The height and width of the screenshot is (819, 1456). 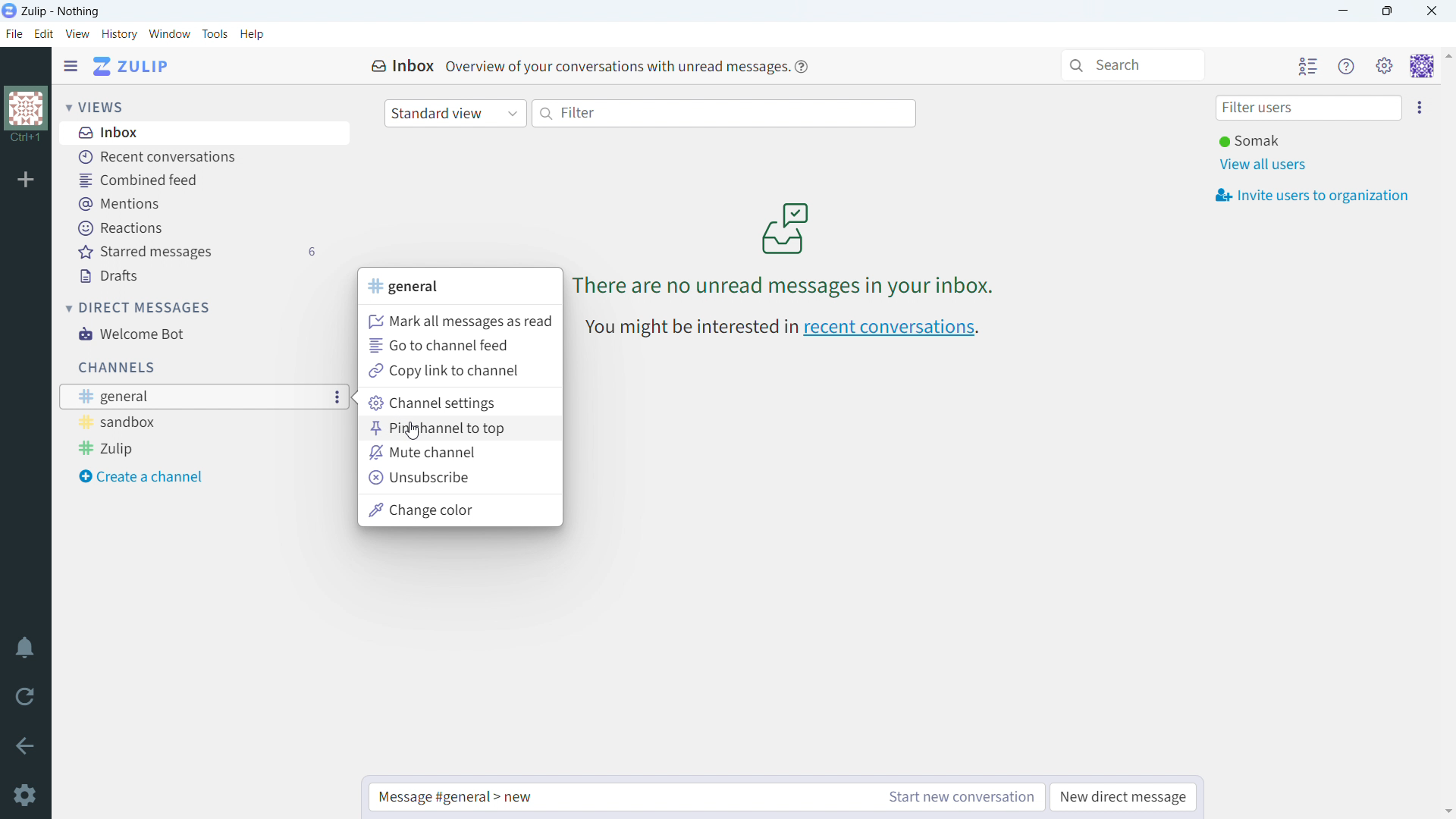 What do you see at coordinates (783, 285) in the screenshot?
I see `There are no unread messages in your inbox.` at bounding box center [783, 285].